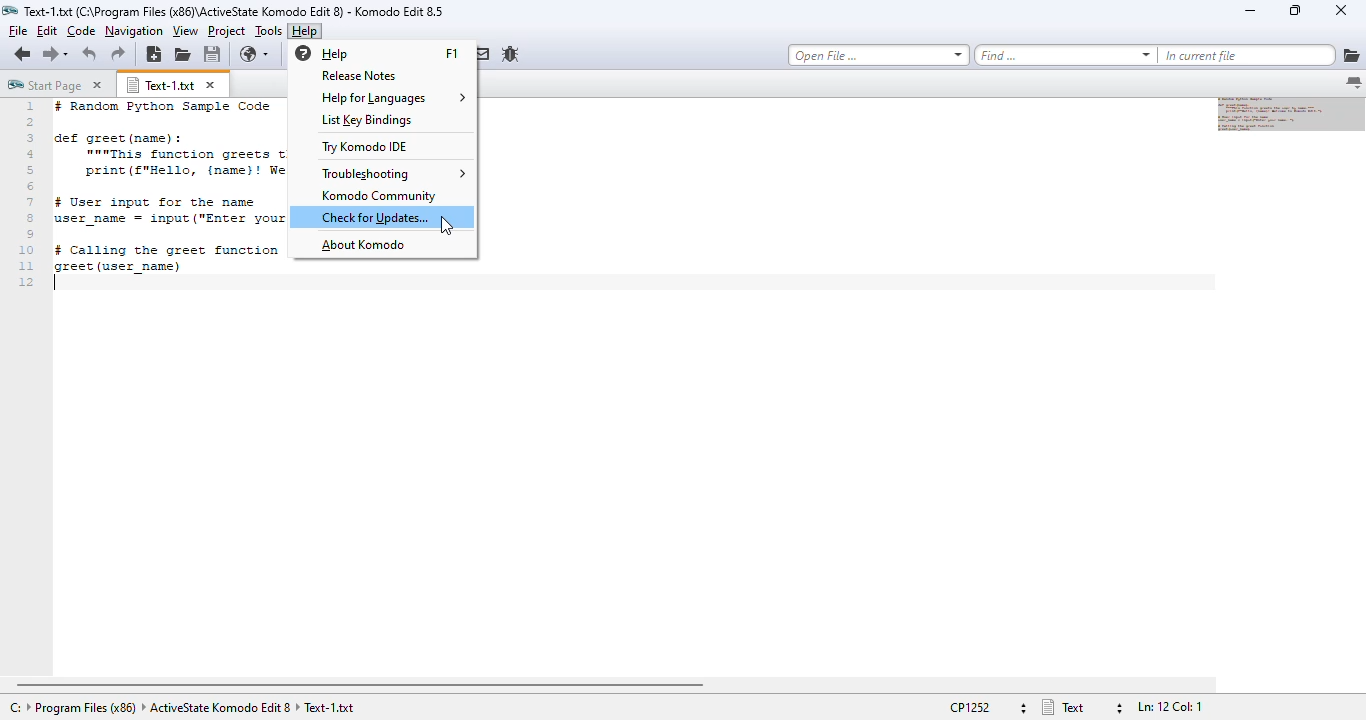  I want to click on troubleshooting, so click(394, 173).